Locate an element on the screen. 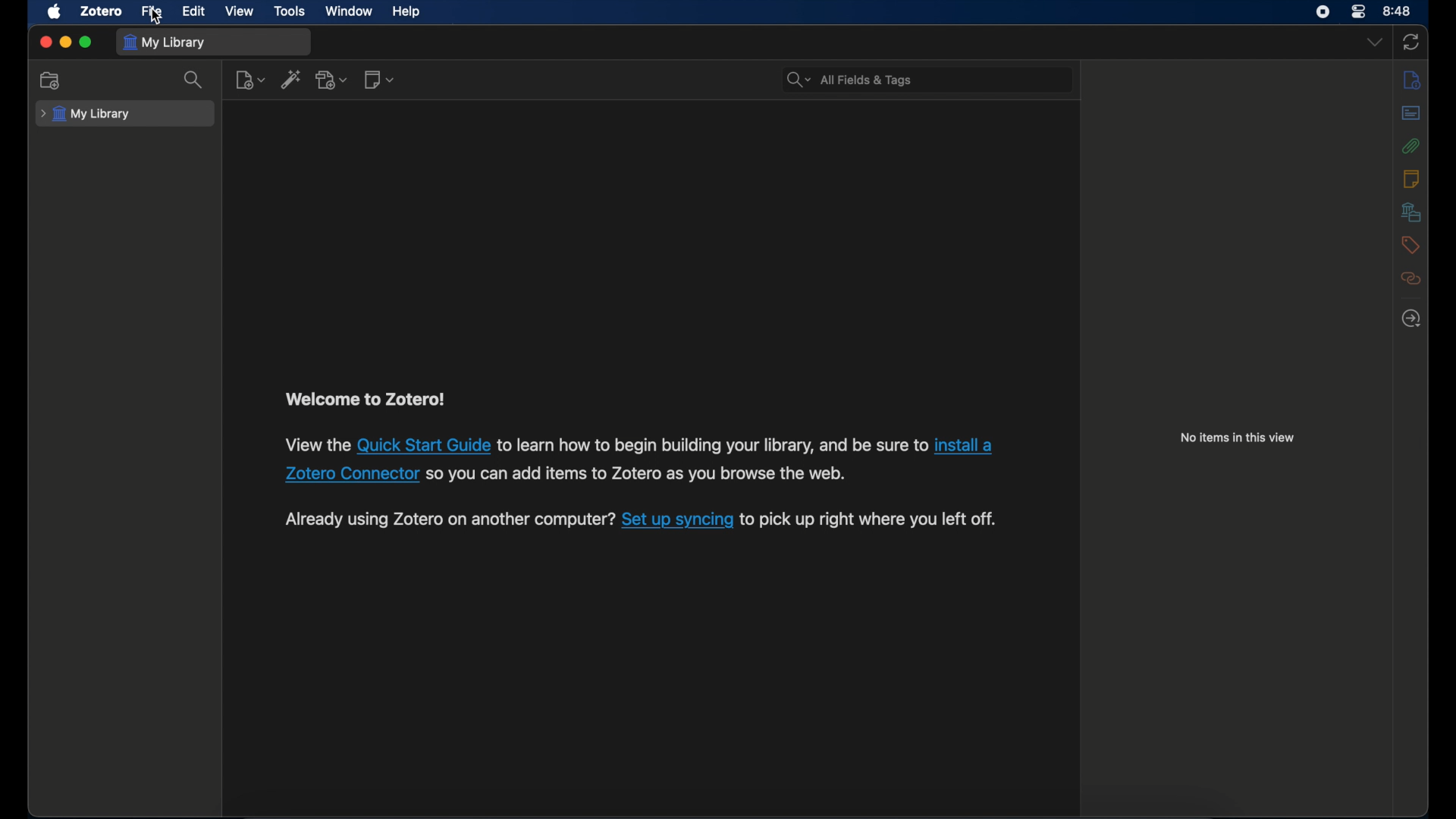  tags is located at coordinates (1410, 245).